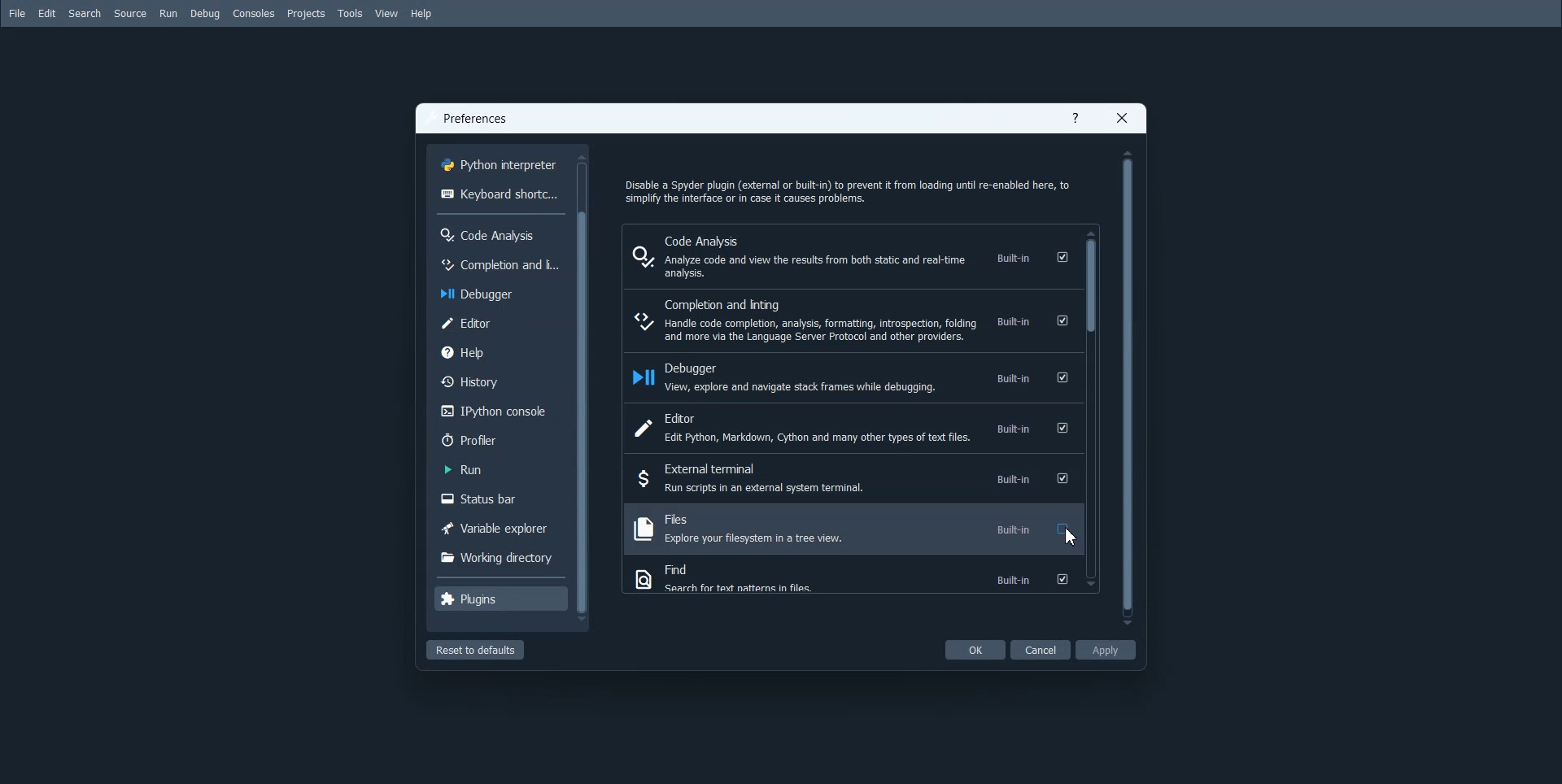 The width and height of the screenshot is (1562, 784). I want to click on Run, so click(168, 14).